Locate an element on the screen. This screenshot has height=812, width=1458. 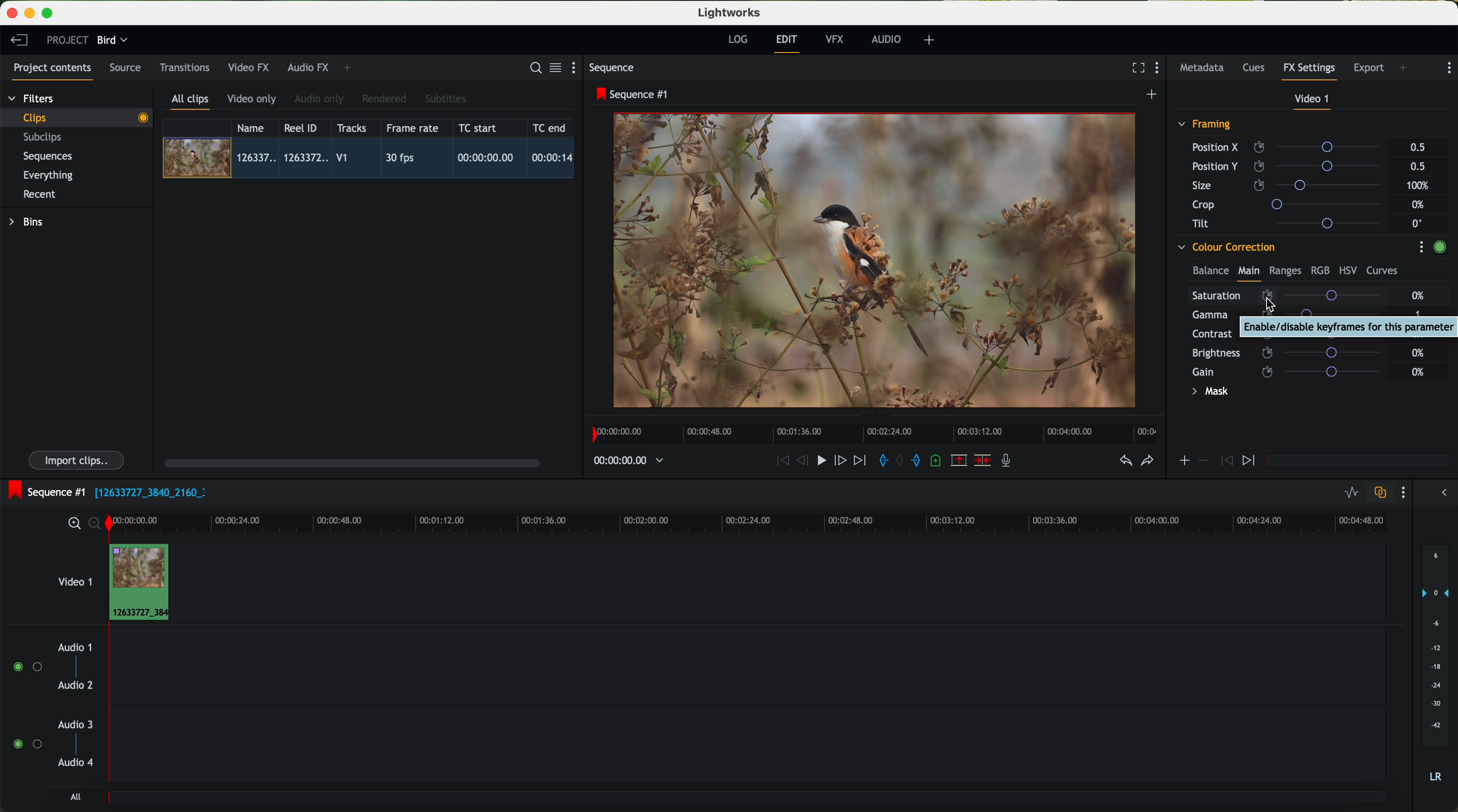
ranges is located at coordinates (1285, 270).